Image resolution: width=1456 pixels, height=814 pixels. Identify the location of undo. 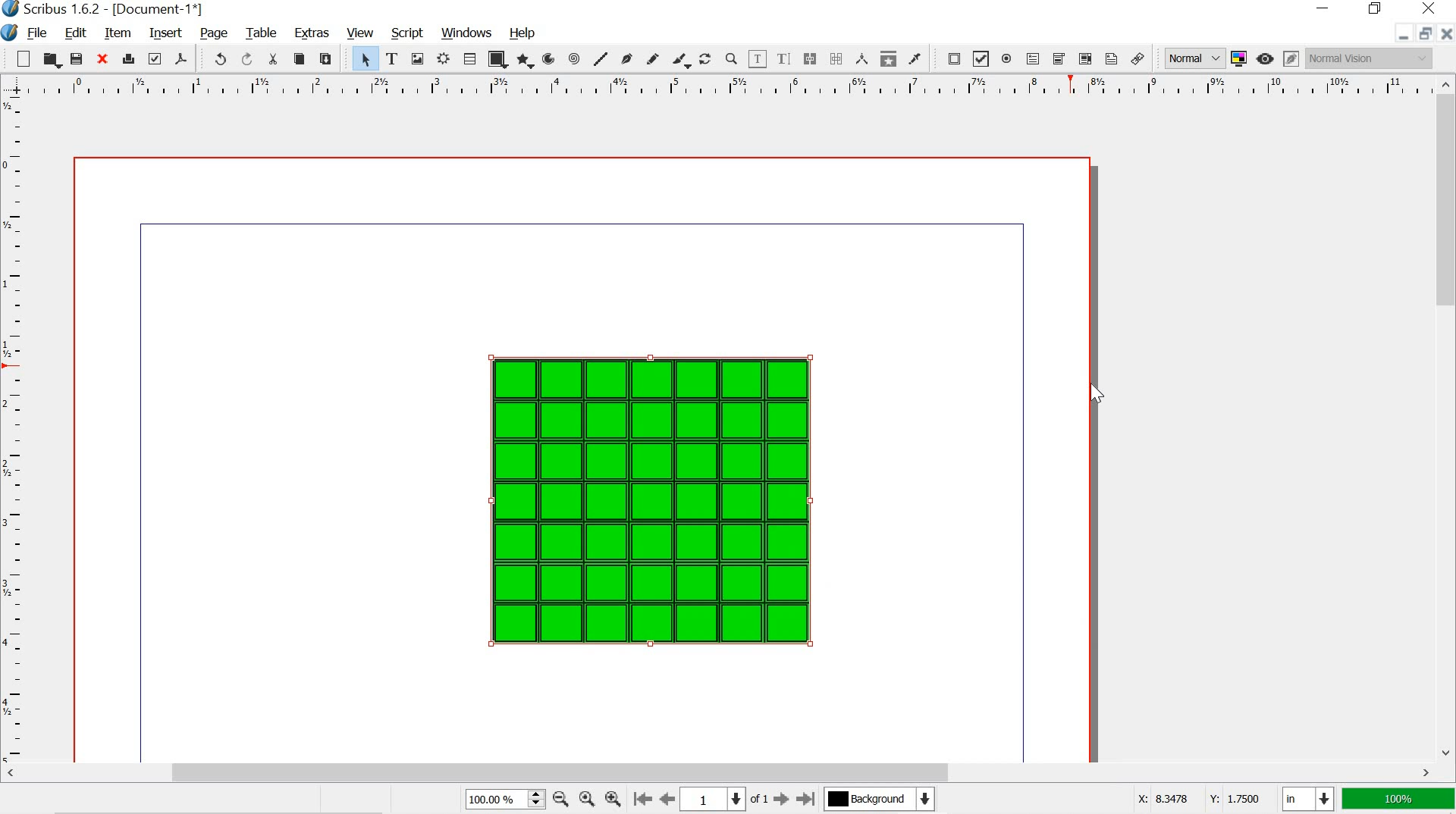
(217, 58).